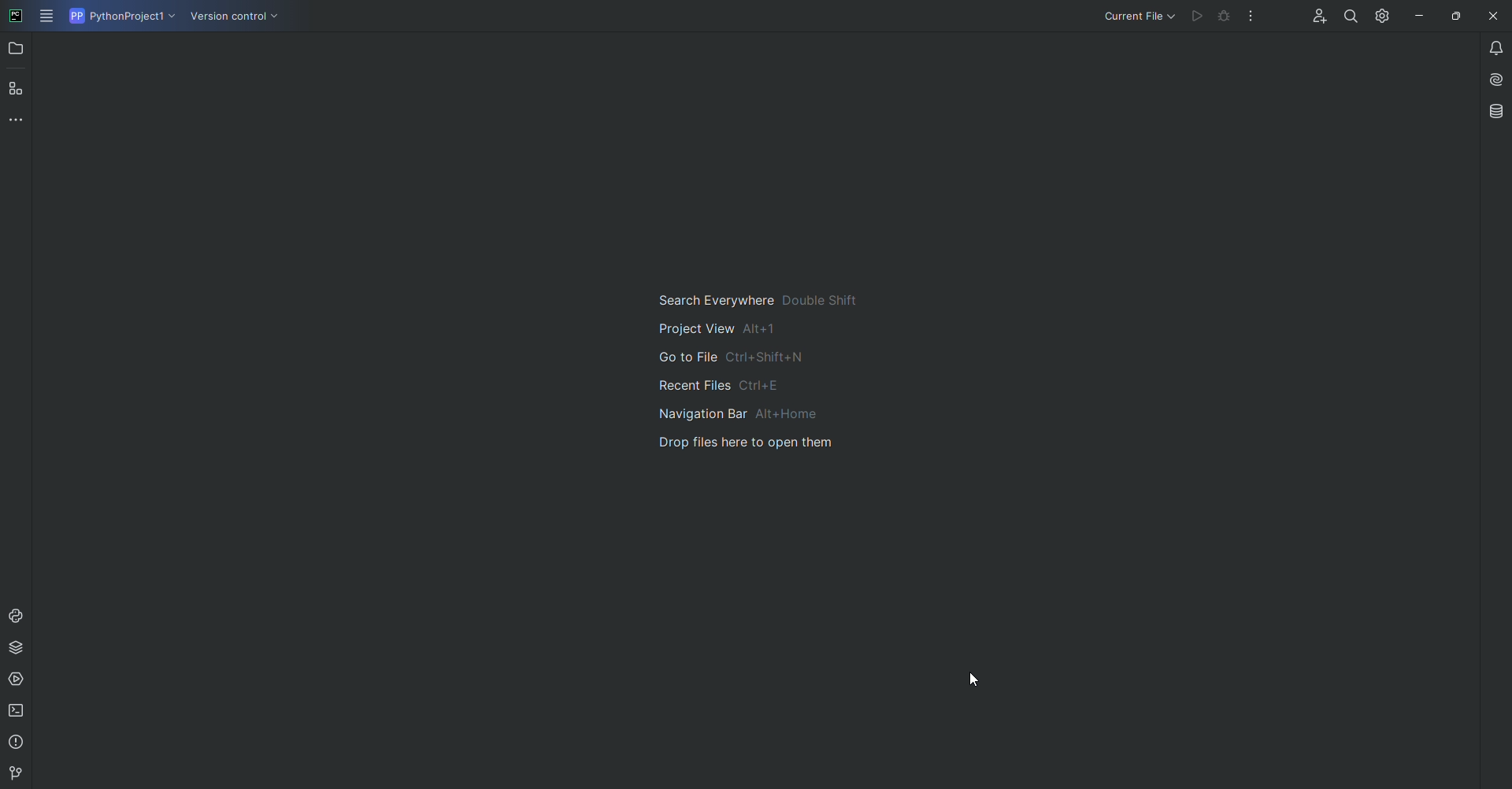 This screenshot has width=1512, height=789. I want to click on PyCharm, so click(17, 17).